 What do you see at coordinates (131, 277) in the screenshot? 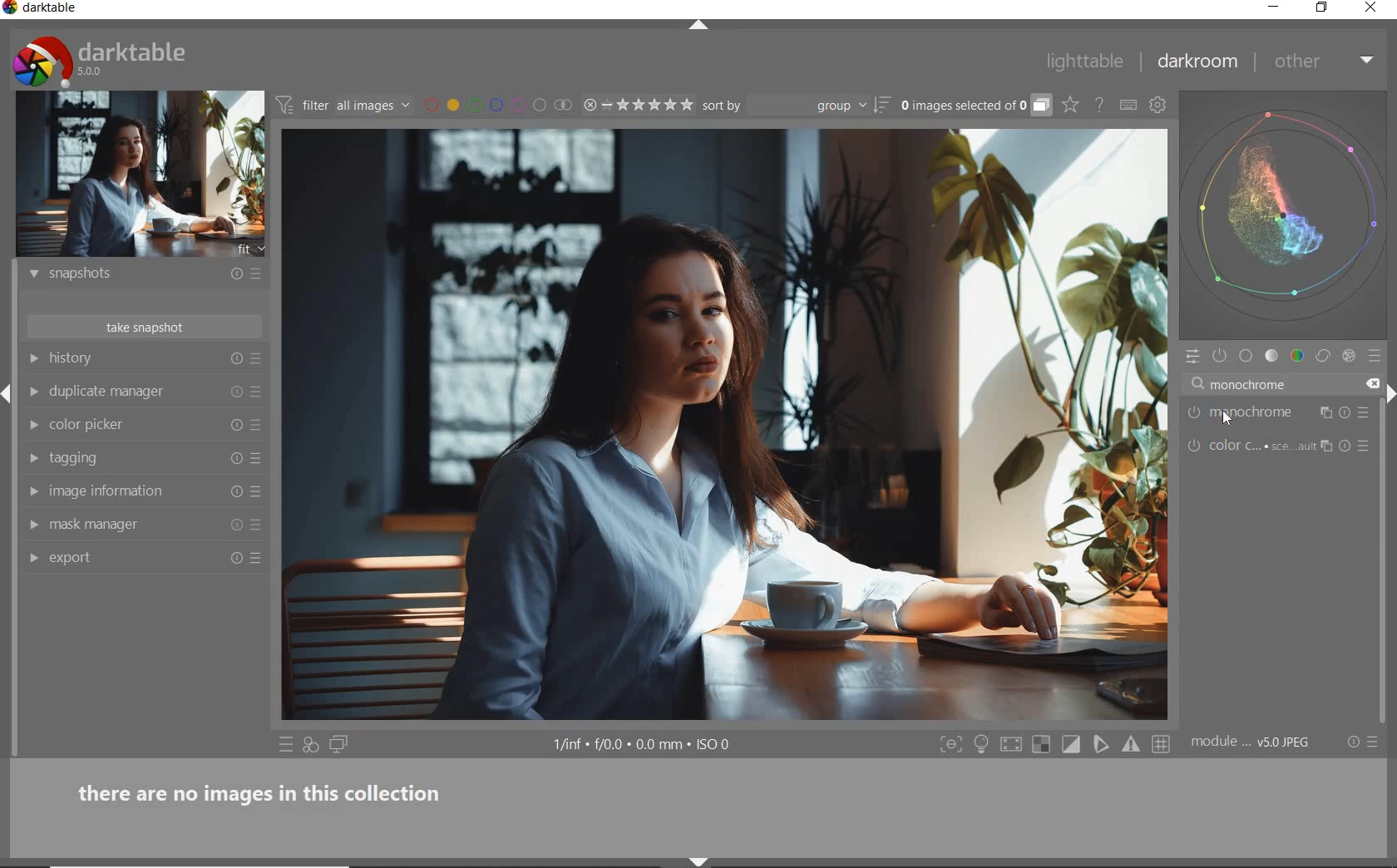
I see `snapshots` at bounding box center [131, 277].